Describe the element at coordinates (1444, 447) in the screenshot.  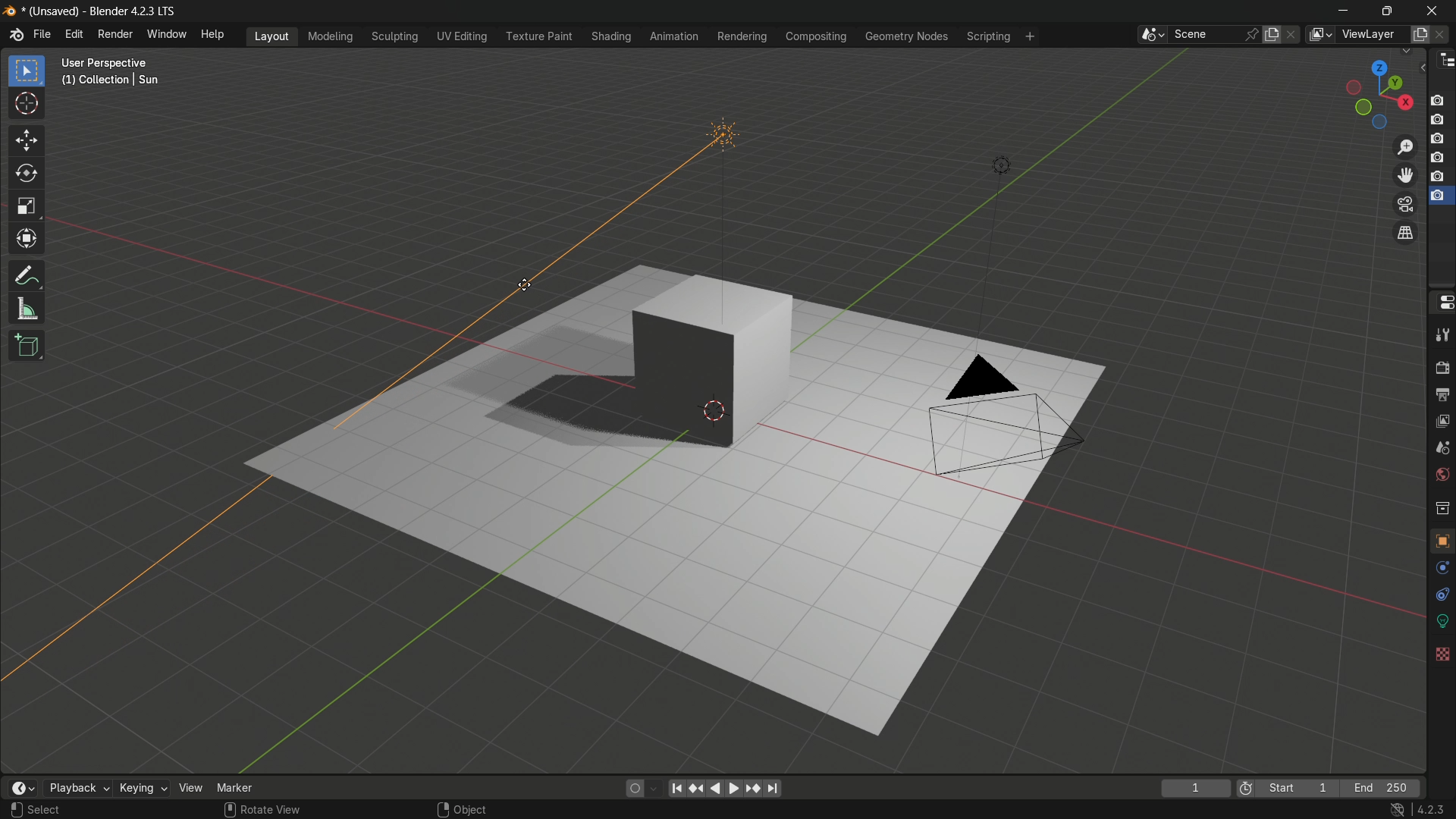
I see `scene` at that location.